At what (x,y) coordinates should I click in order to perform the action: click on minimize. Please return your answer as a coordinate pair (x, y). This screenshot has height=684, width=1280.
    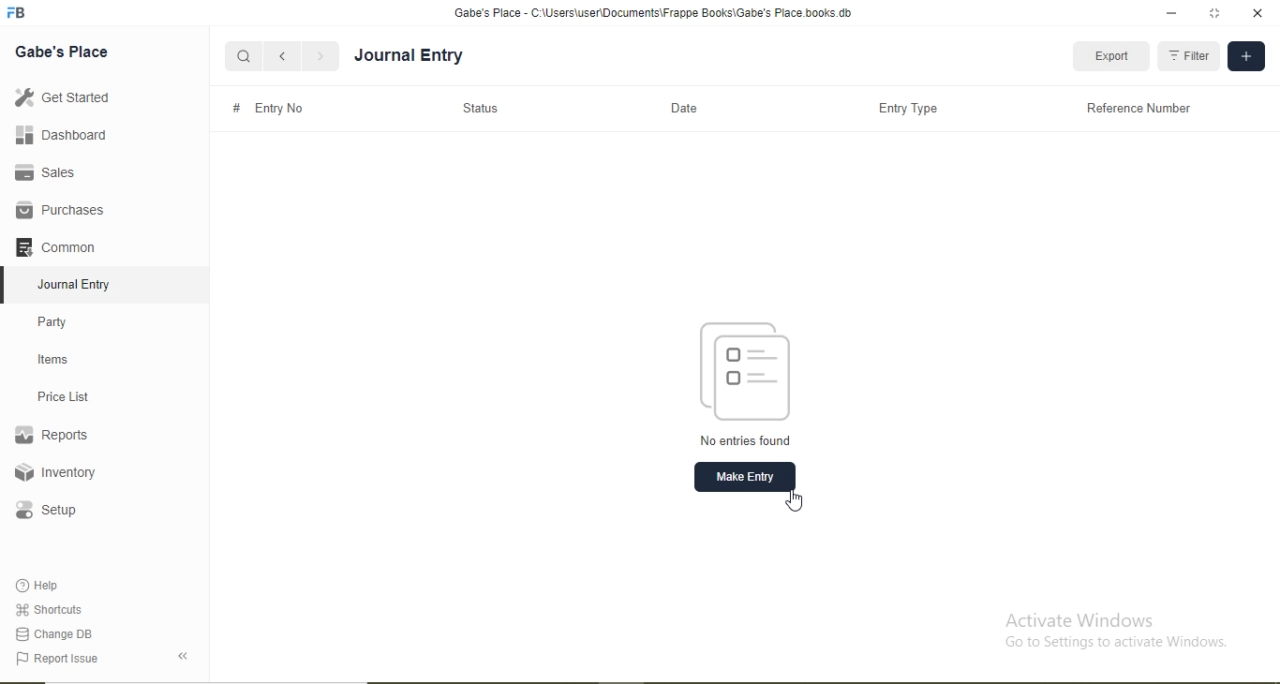
    Looking at the image, I should click on (1169, 14).